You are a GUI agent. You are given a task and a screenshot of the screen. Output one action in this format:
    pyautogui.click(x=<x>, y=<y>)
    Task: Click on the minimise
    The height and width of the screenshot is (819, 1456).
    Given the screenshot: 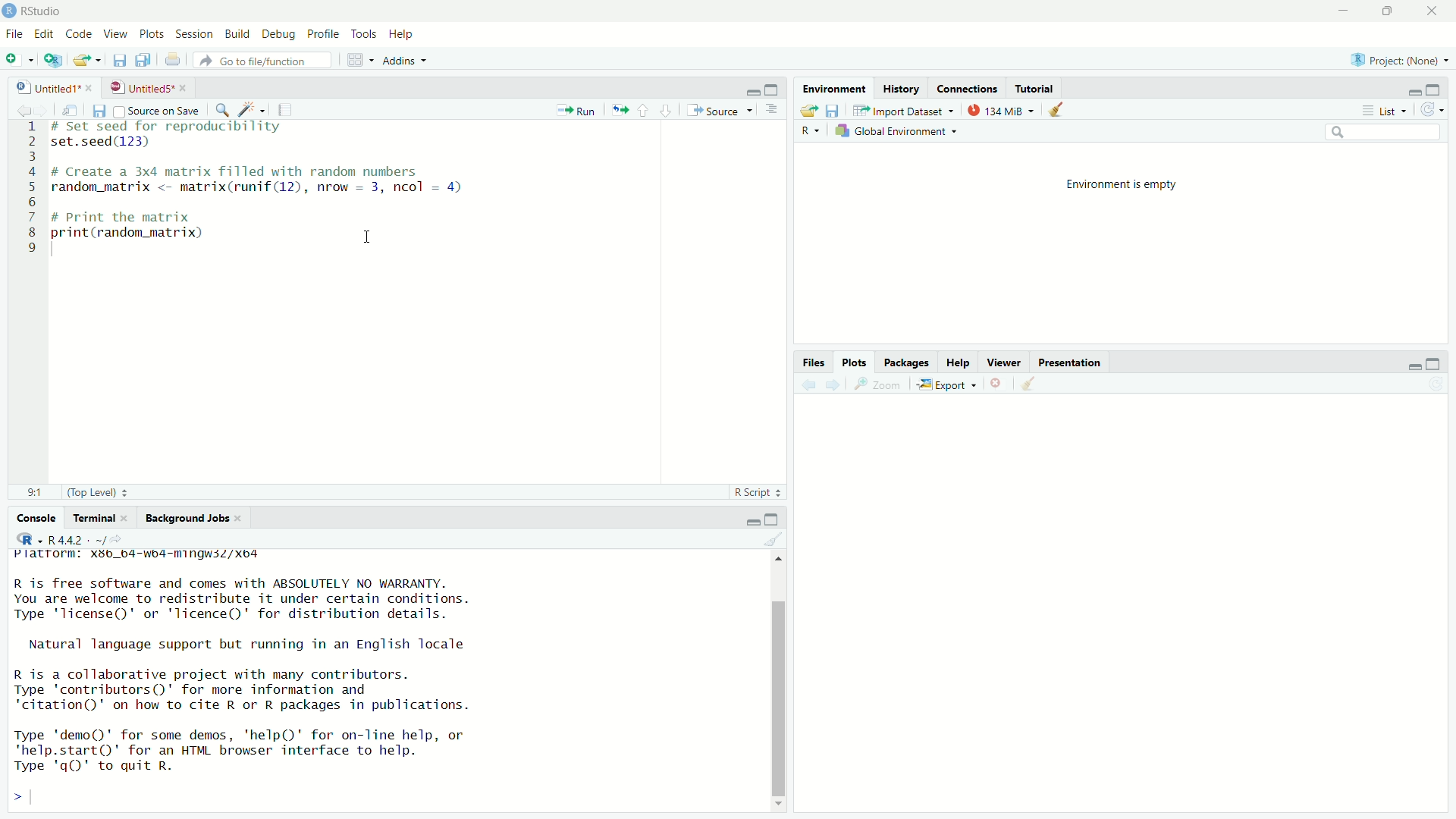 What is the action you would take?
    pyautogui.click(x=1409, y=368)
    